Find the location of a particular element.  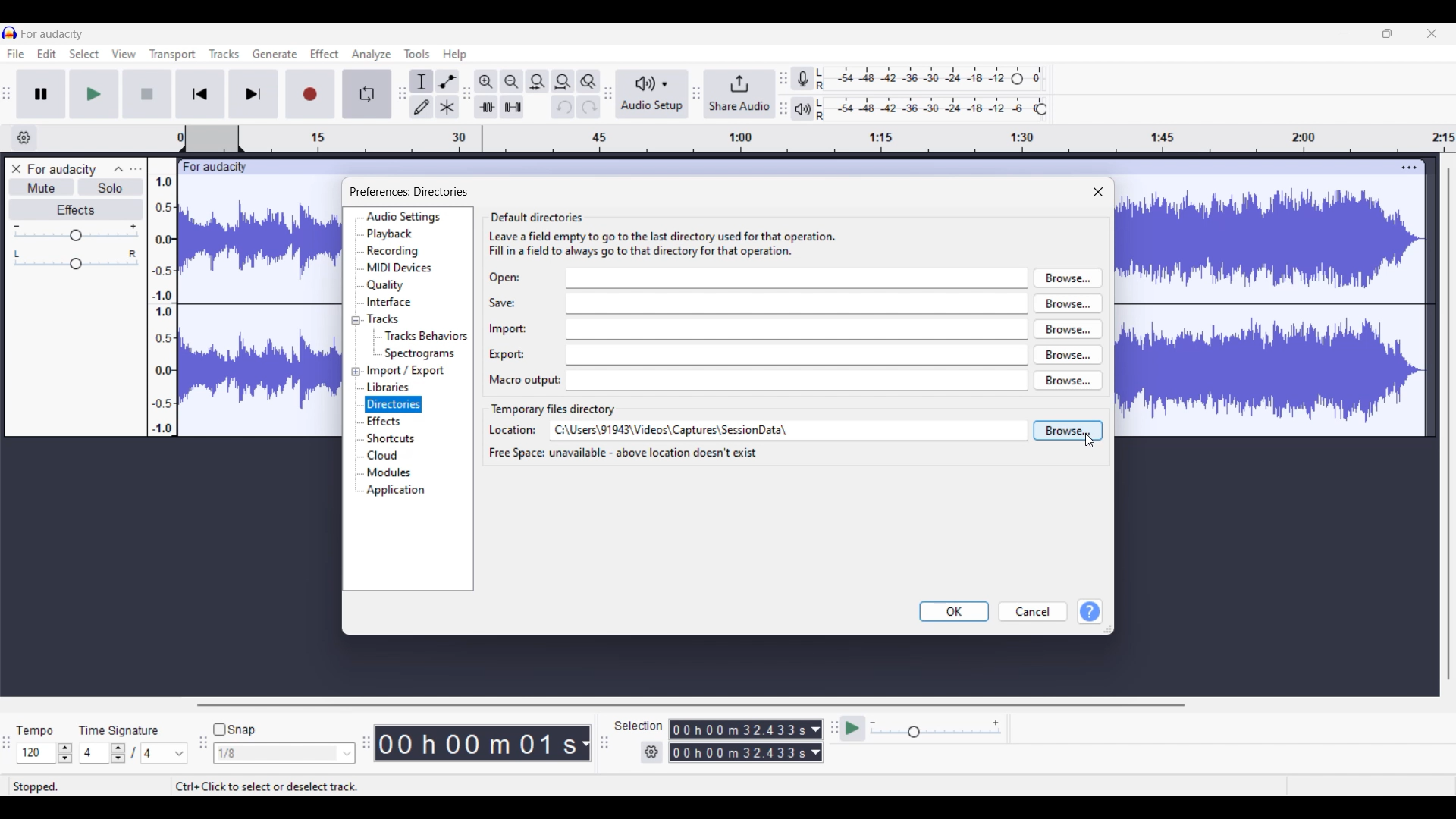

OK is located at coordinates (955, 611).